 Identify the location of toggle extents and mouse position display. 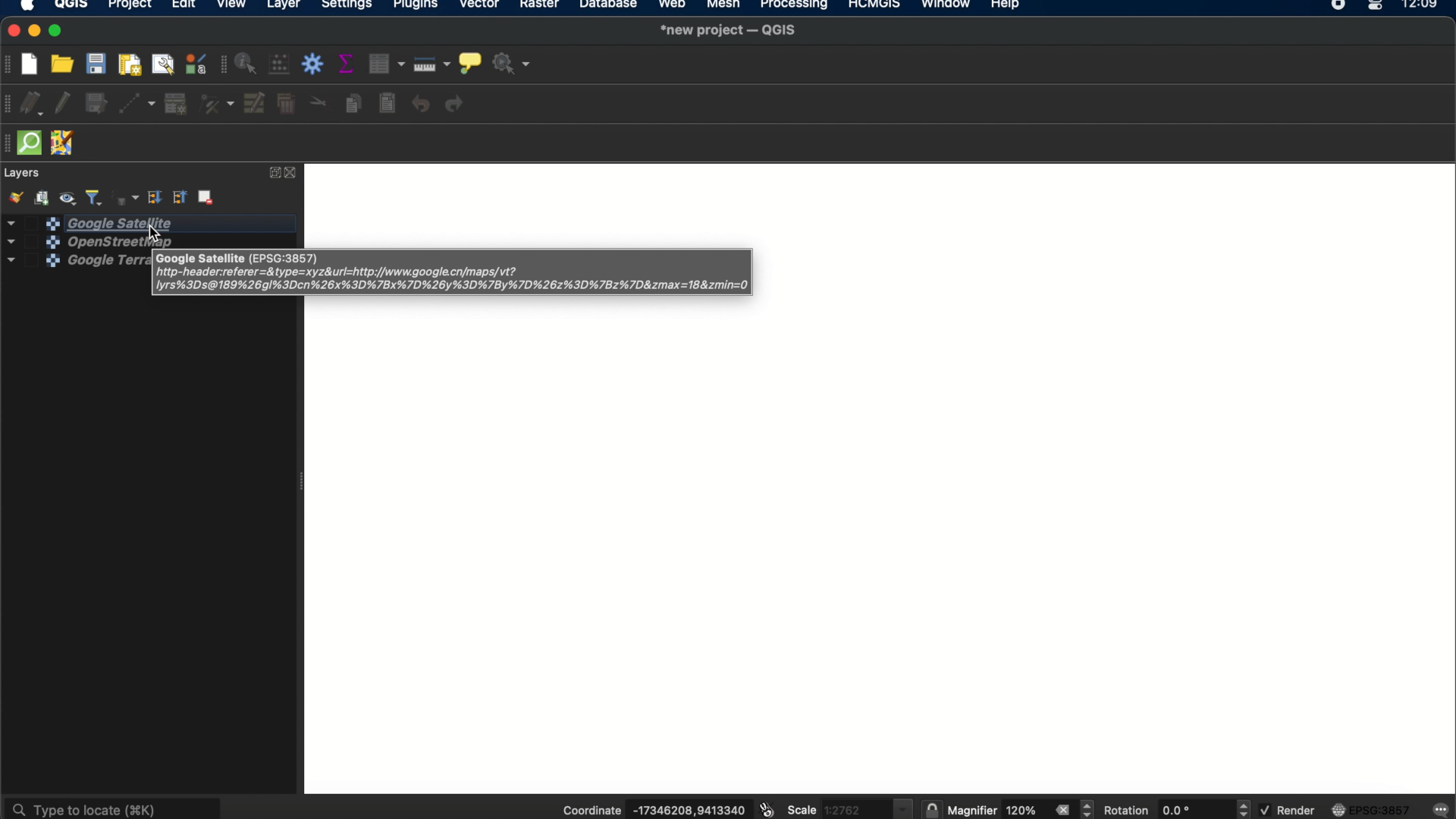
(765, 810).